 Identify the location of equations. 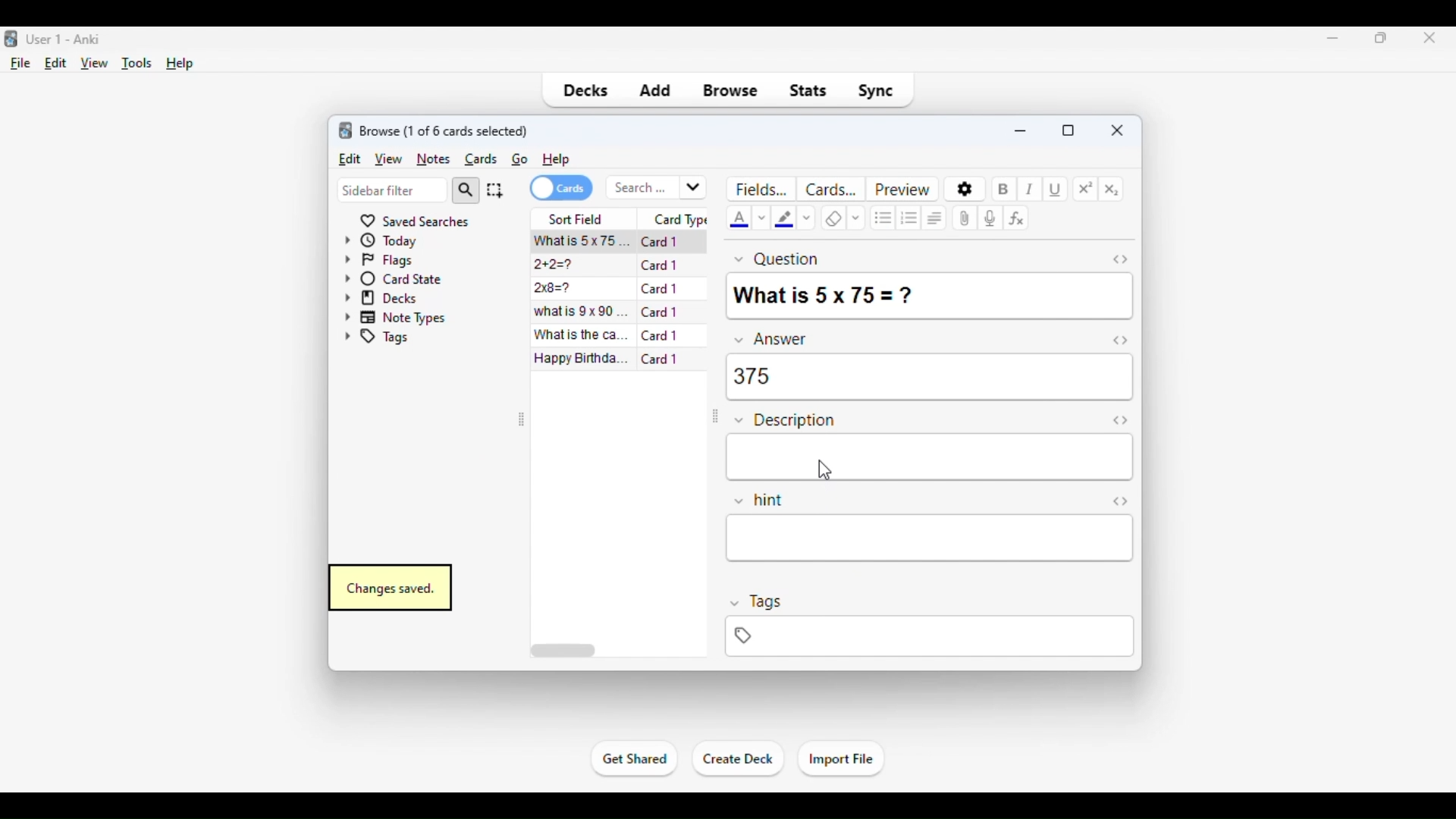
(1016, 218).